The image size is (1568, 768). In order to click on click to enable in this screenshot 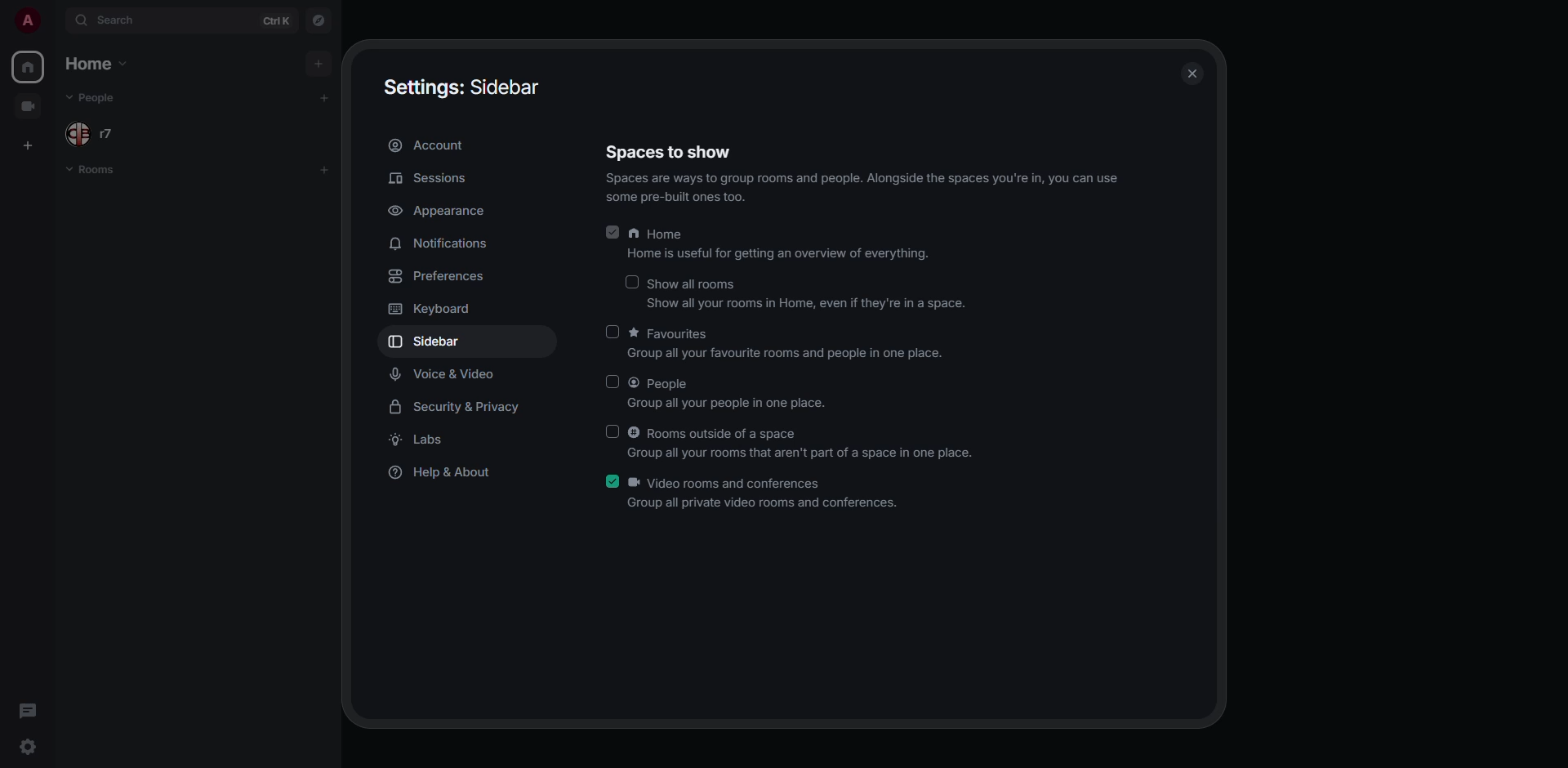, I will do `click(608, 382)`.